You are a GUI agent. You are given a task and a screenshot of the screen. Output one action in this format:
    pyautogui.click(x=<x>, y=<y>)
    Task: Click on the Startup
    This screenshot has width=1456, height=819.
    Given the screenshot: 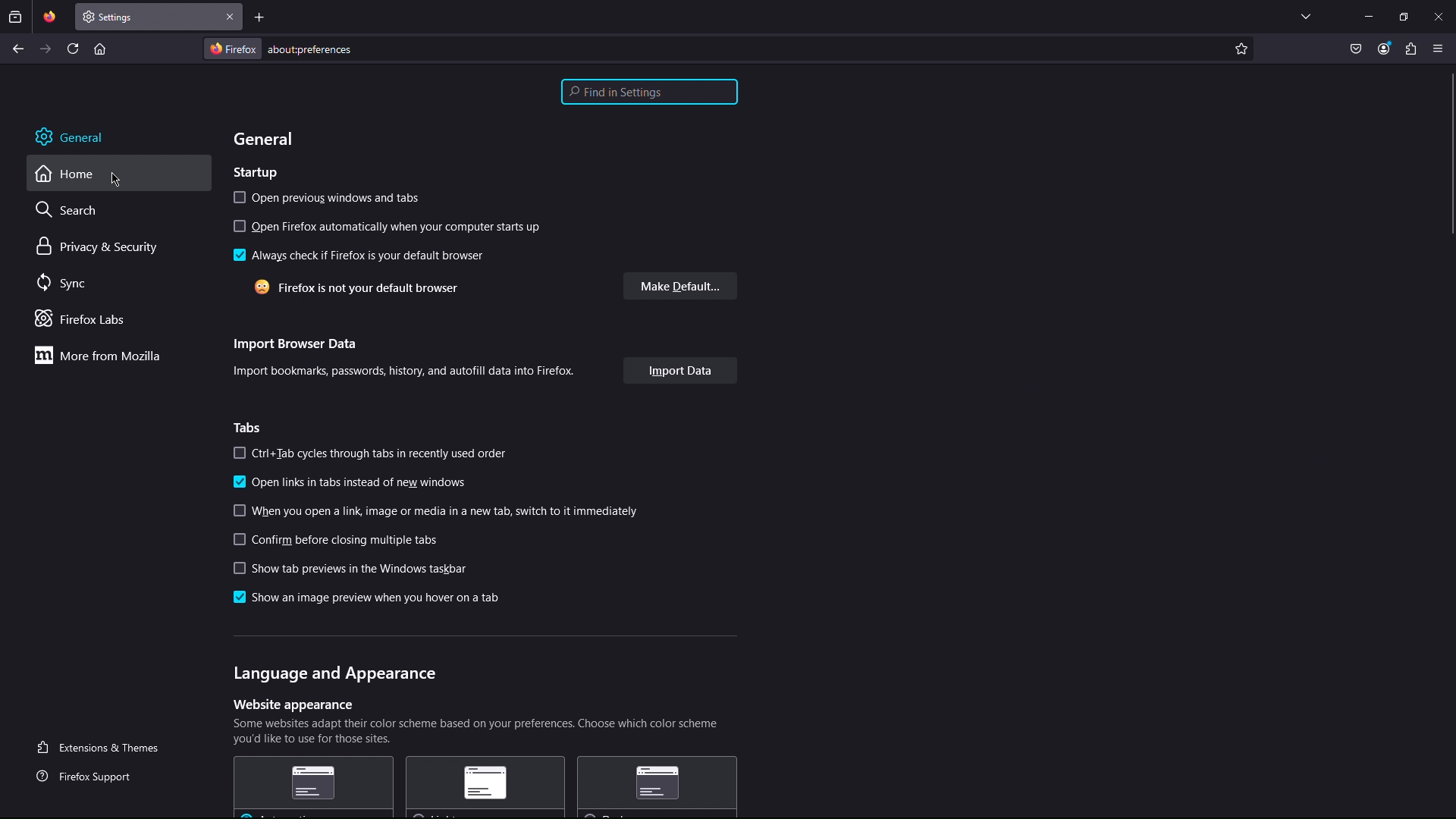 What is the action you would take?
    pyautogui.click(x=256, y=173)
    